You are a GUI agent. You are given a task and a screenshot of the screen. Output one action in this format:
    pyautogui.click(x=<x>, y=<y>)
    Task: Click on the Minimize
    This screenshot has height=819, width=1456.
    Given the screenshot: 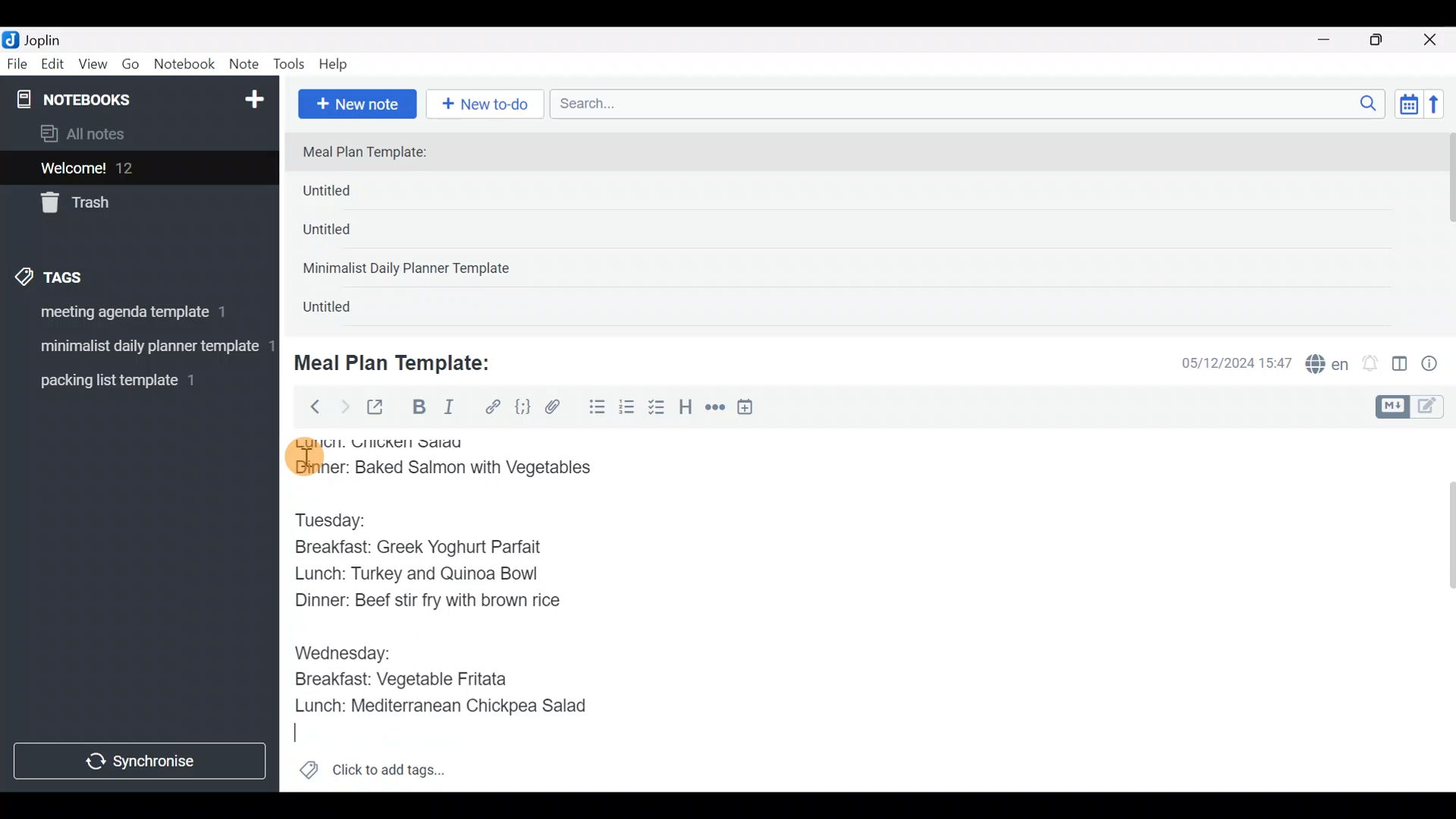 What is the action you would take?
    pyautogui.click(x=1332, y=38)
    